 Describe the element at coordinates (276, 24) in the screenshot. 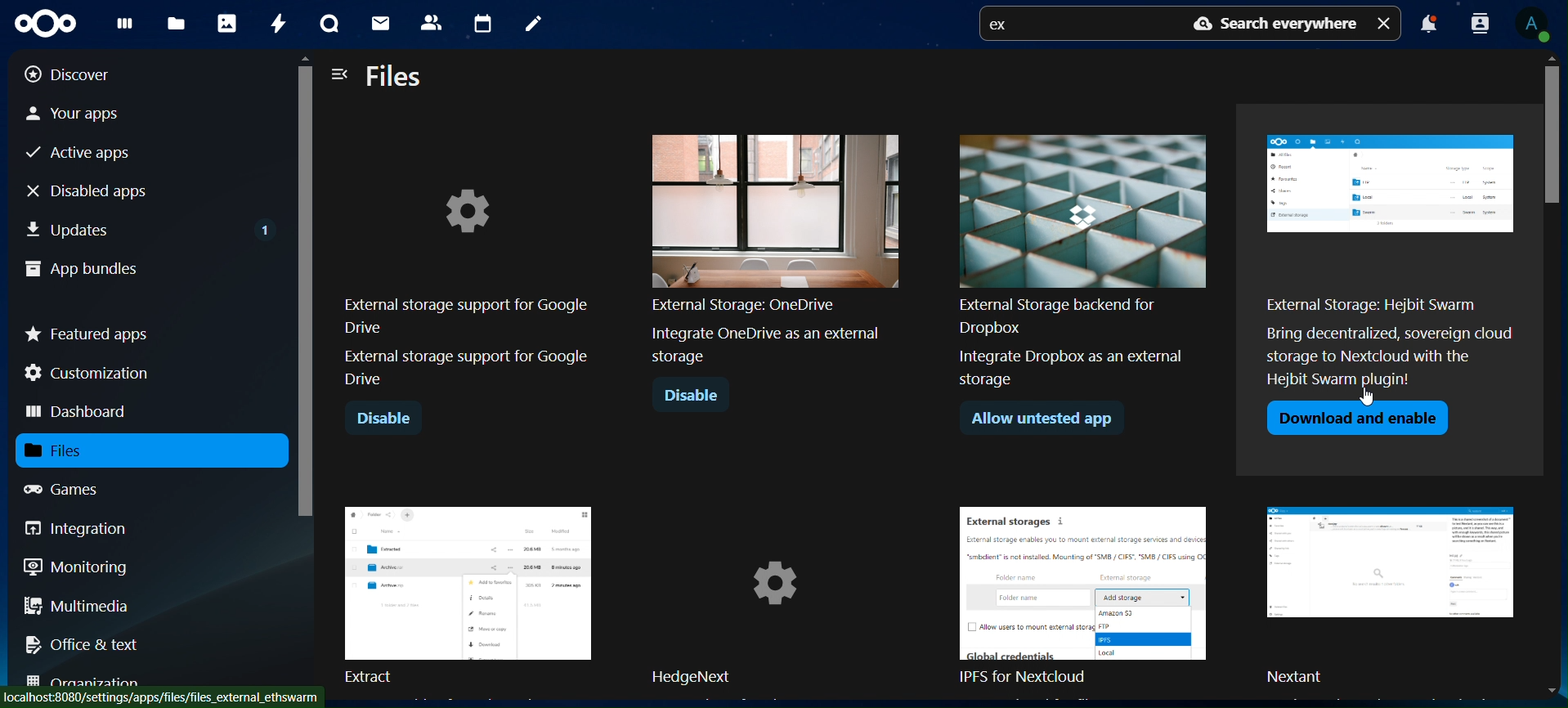

I see `activity` at that location.